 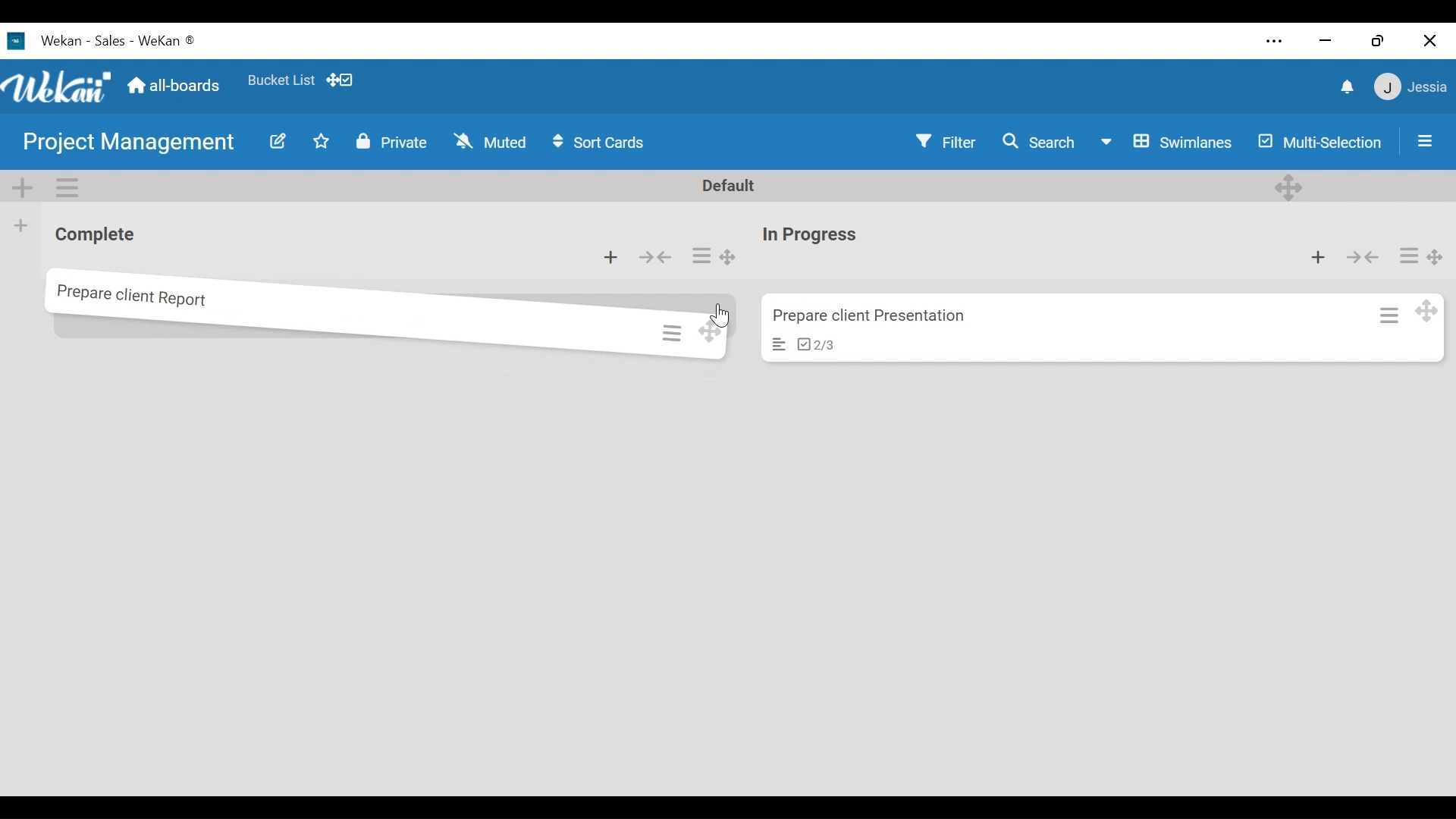 What do you see at coordinates (147, 300) in the screenshot?
I see `prepare client report` at bounding box center [147, 300].